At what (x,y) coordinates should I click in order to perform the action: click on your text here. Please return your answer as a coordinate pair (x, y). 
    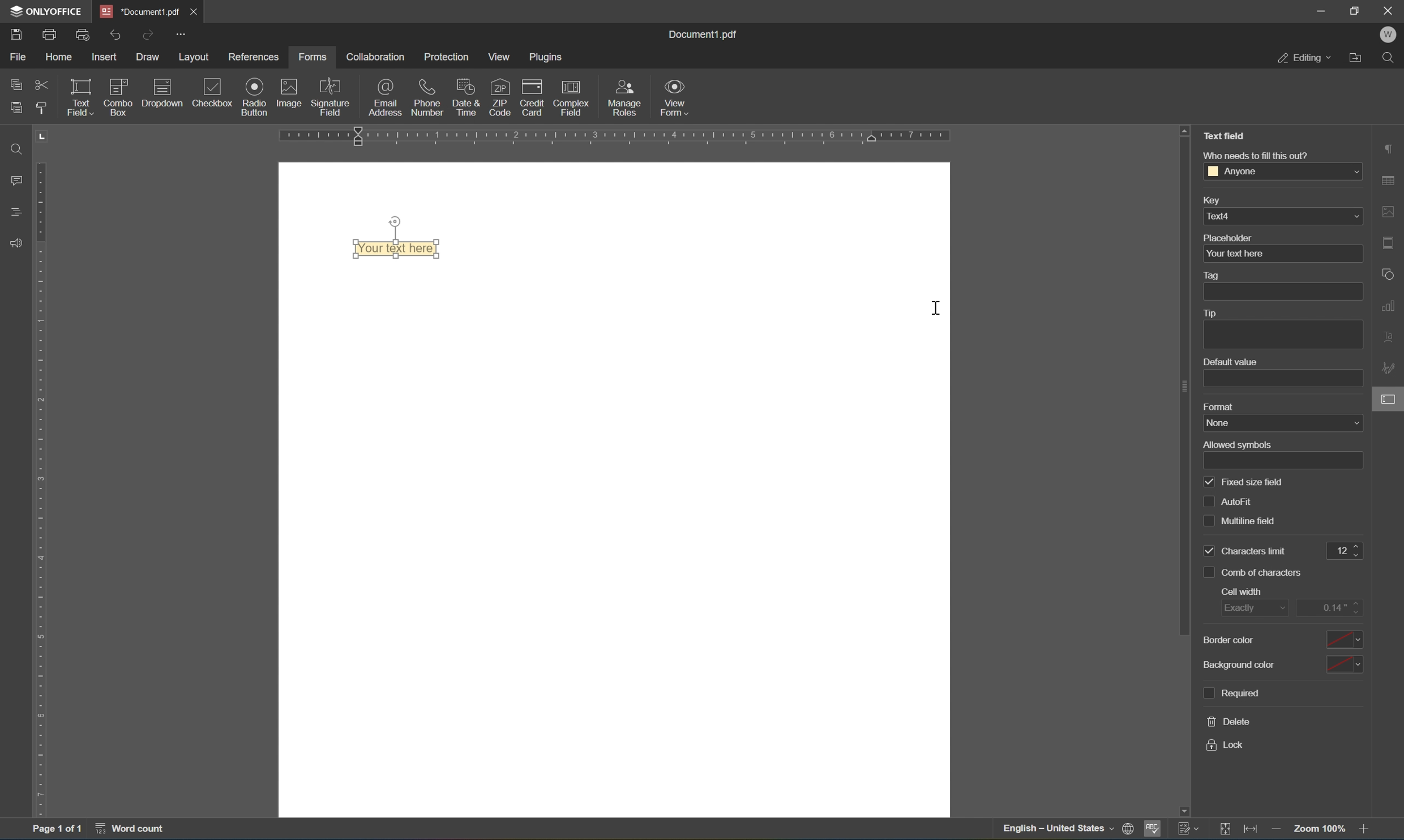
    Looking at the image, I should click on (395, 248).